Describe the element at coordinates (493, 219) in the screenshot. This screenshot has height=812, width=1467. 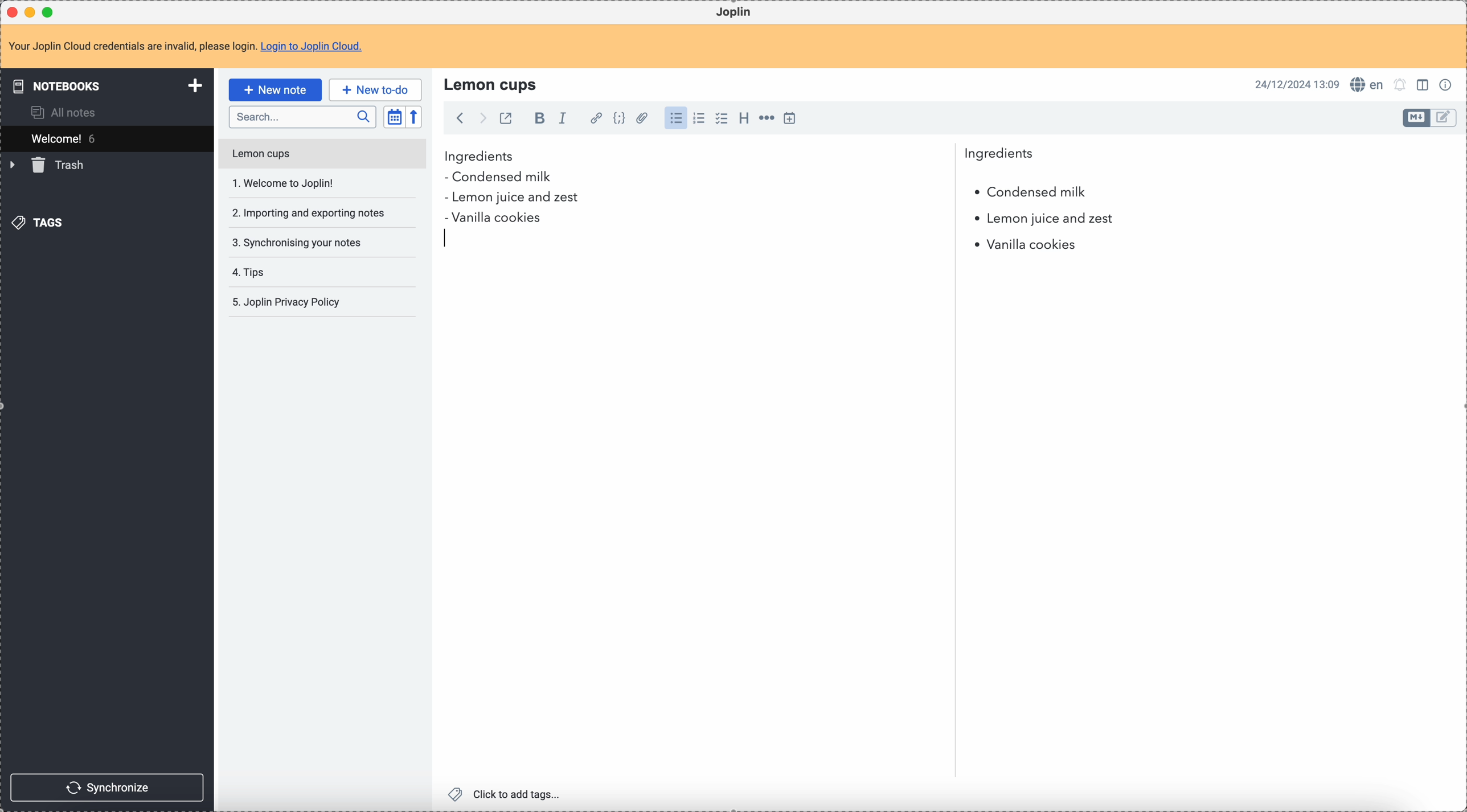
I see `vanilla cookies` at that location.